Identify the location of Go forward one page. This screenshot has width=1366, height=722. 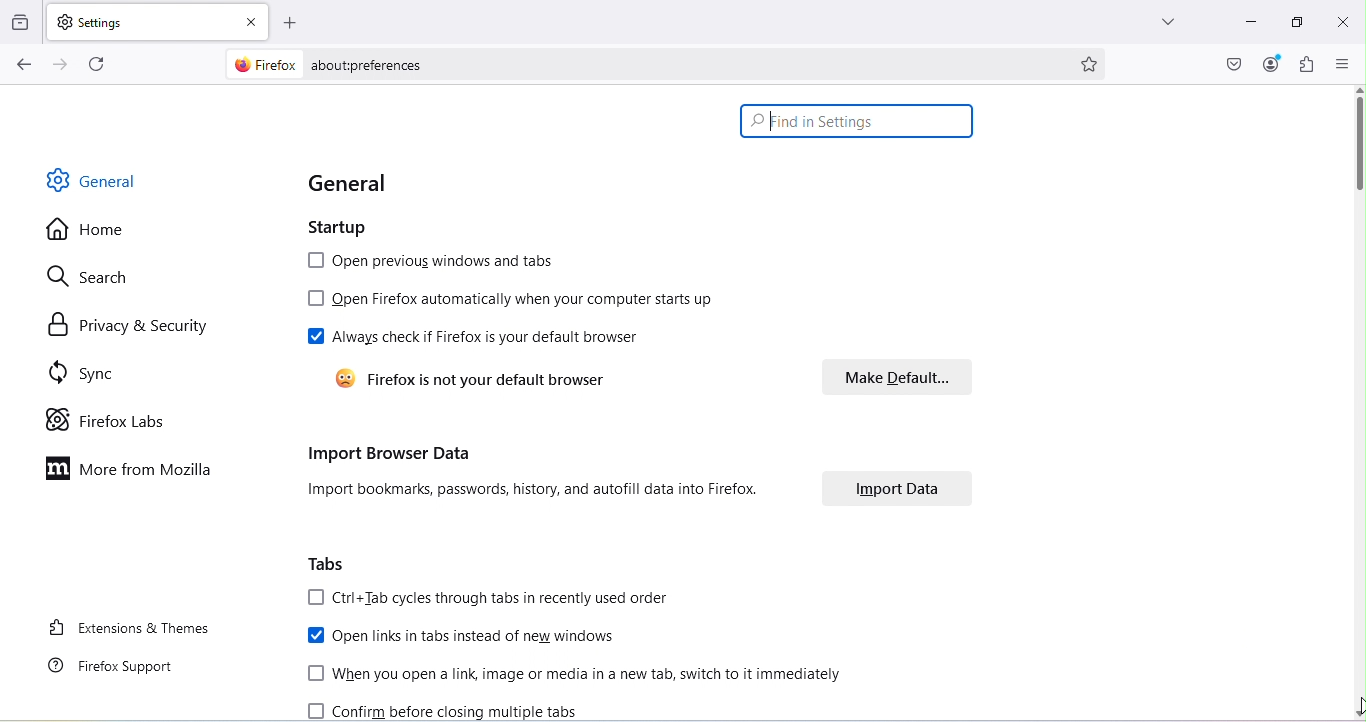
(64, 67).